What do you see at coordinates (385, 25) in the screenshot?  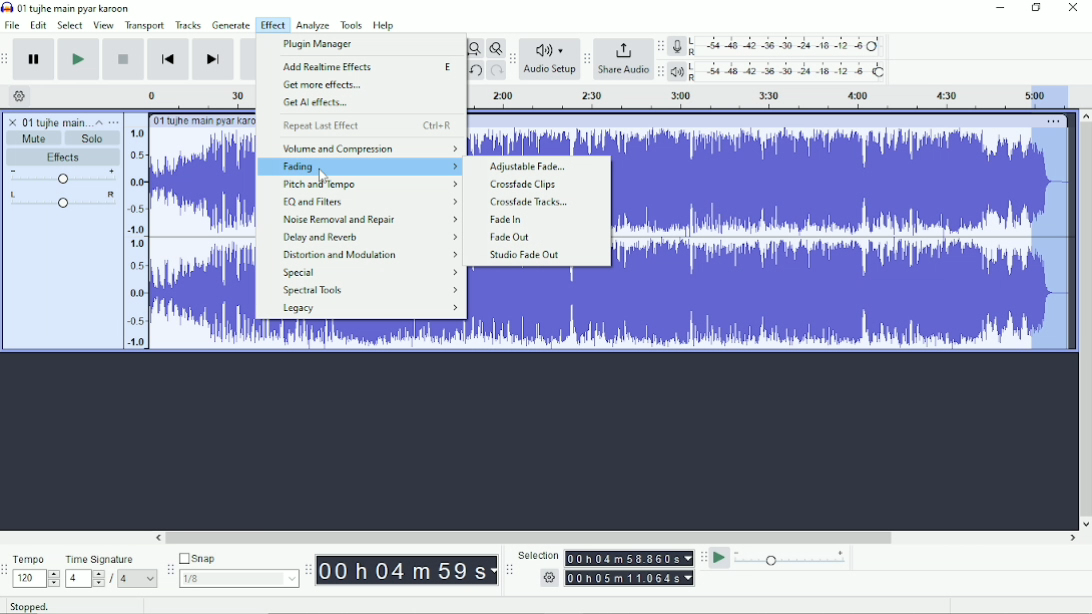 I see `Help` at bounding box center [385, 25].